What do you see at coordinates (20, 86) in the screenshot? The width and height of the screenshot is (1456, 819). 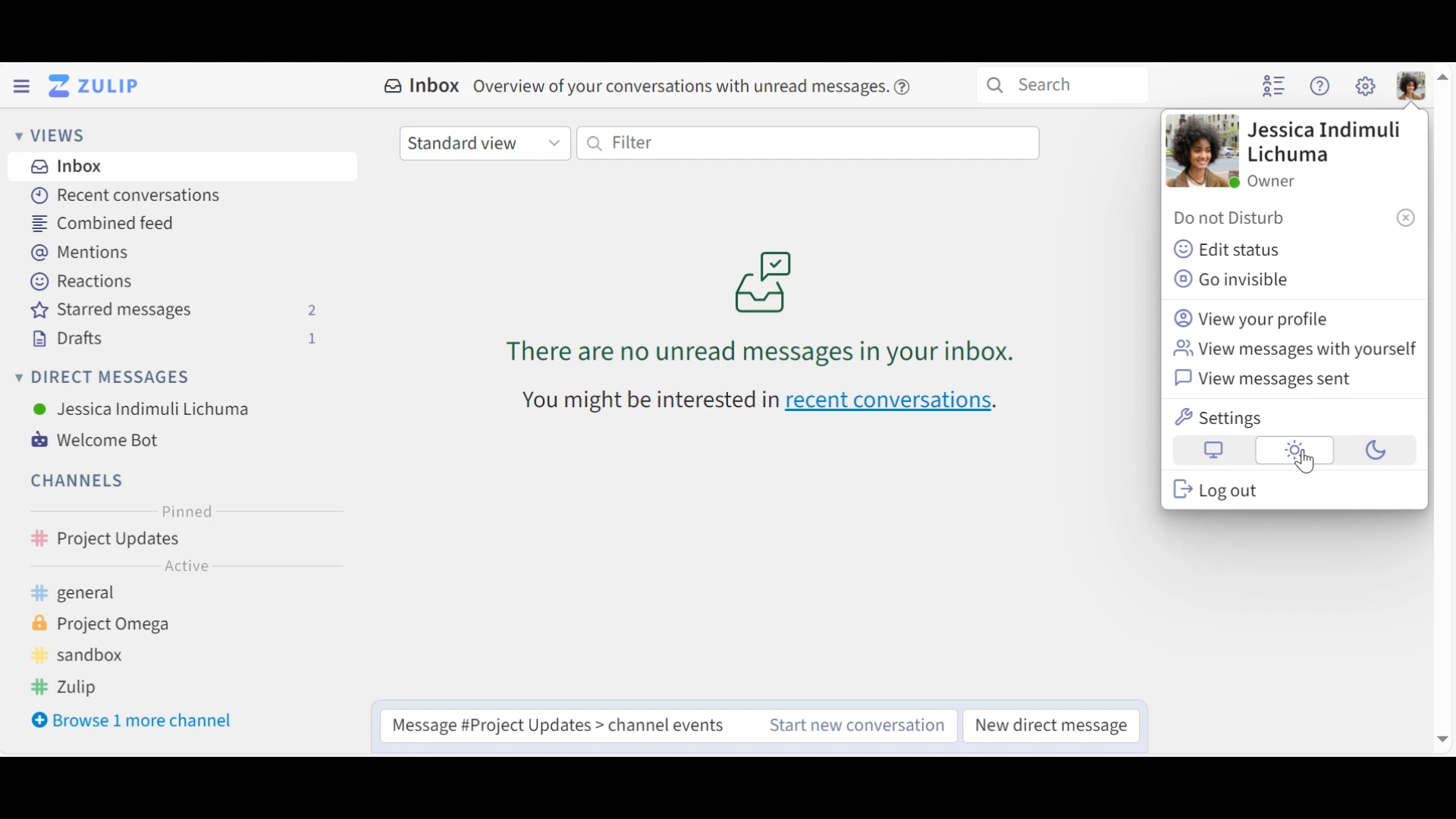 I see `Hamburger menu` at bounding box center [20, 86].